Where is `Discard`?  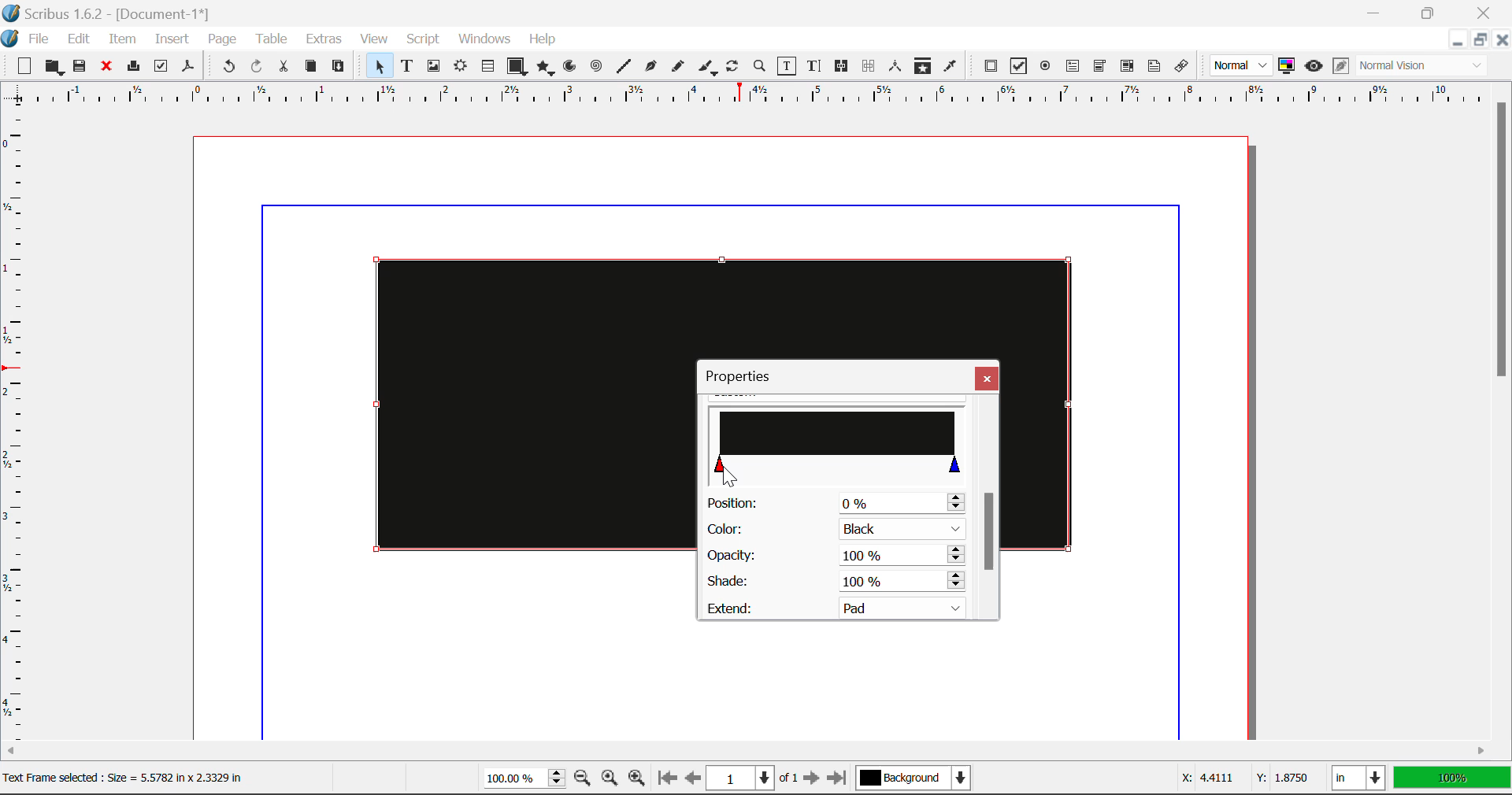 Discard is located at coordinates (106, 68).